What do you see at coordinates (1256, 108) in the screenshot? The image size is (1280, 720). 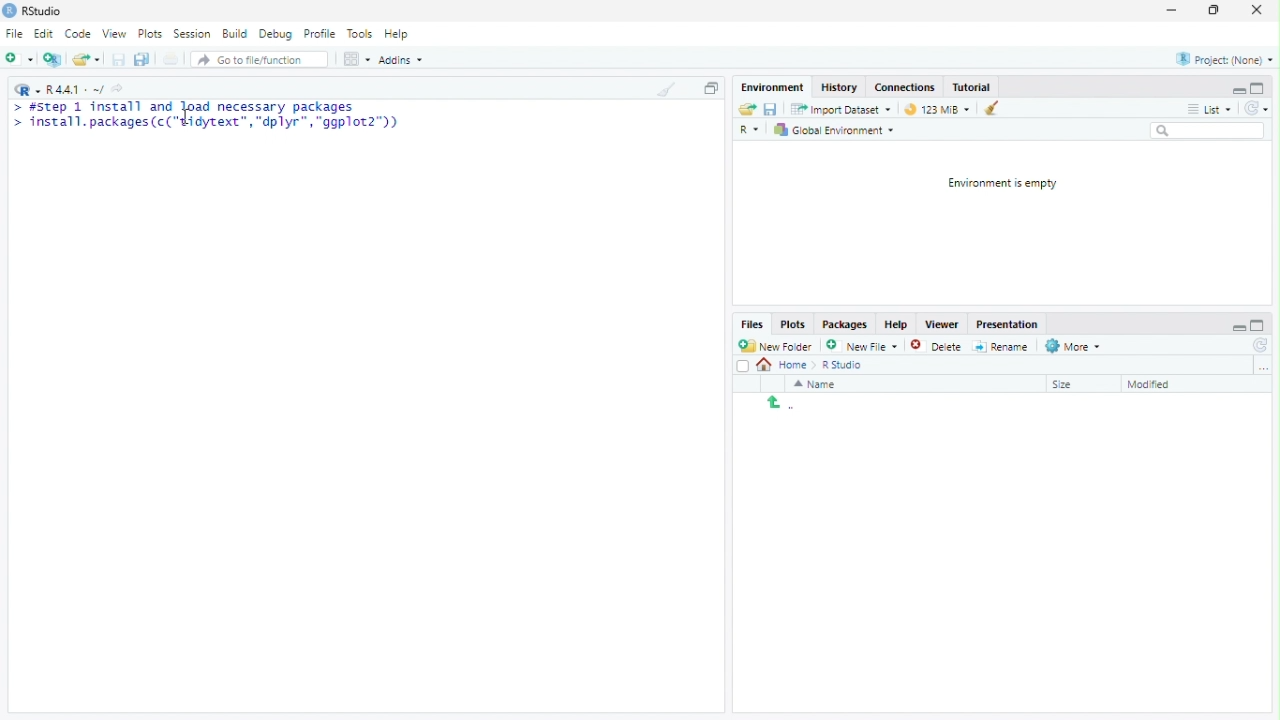 I see `Refresh ` at bounding box center [1256, 108].